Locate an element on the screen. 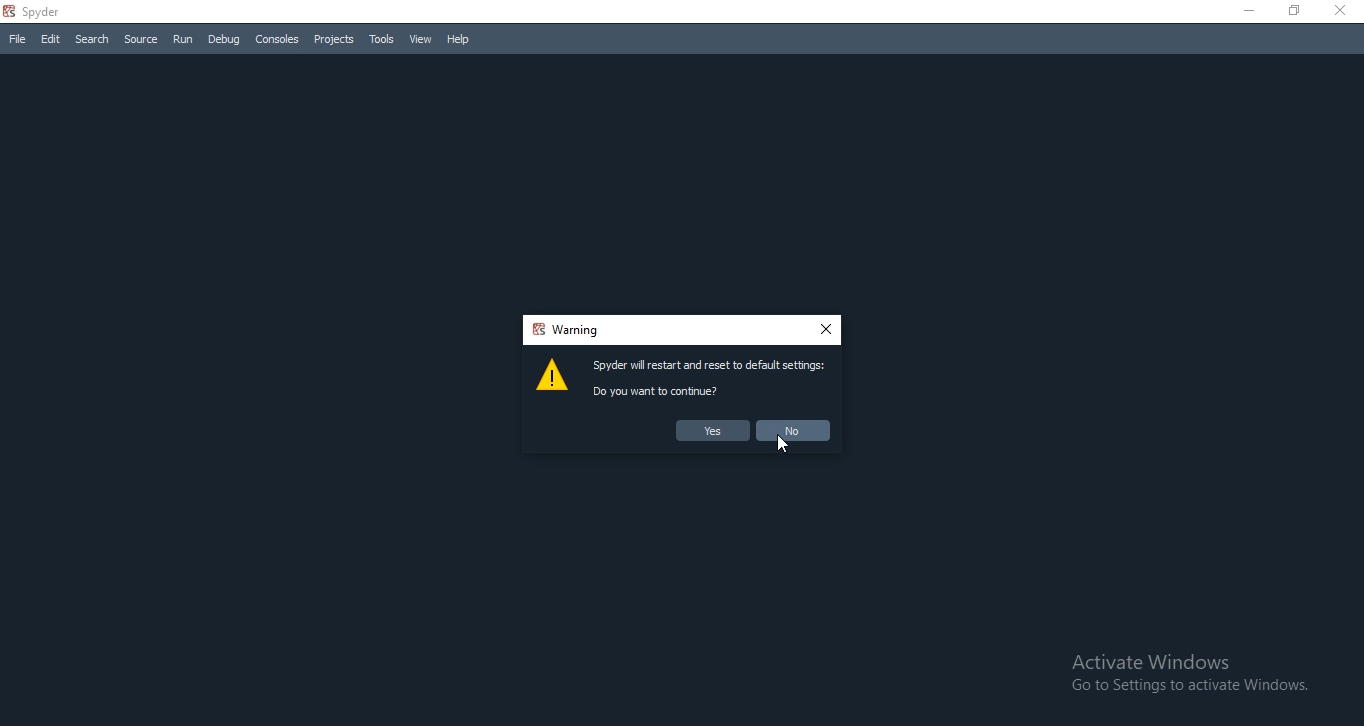 Image resolution: width=1364 pixels, height=726 pixels. Tools is located at coordinates (379, 40).